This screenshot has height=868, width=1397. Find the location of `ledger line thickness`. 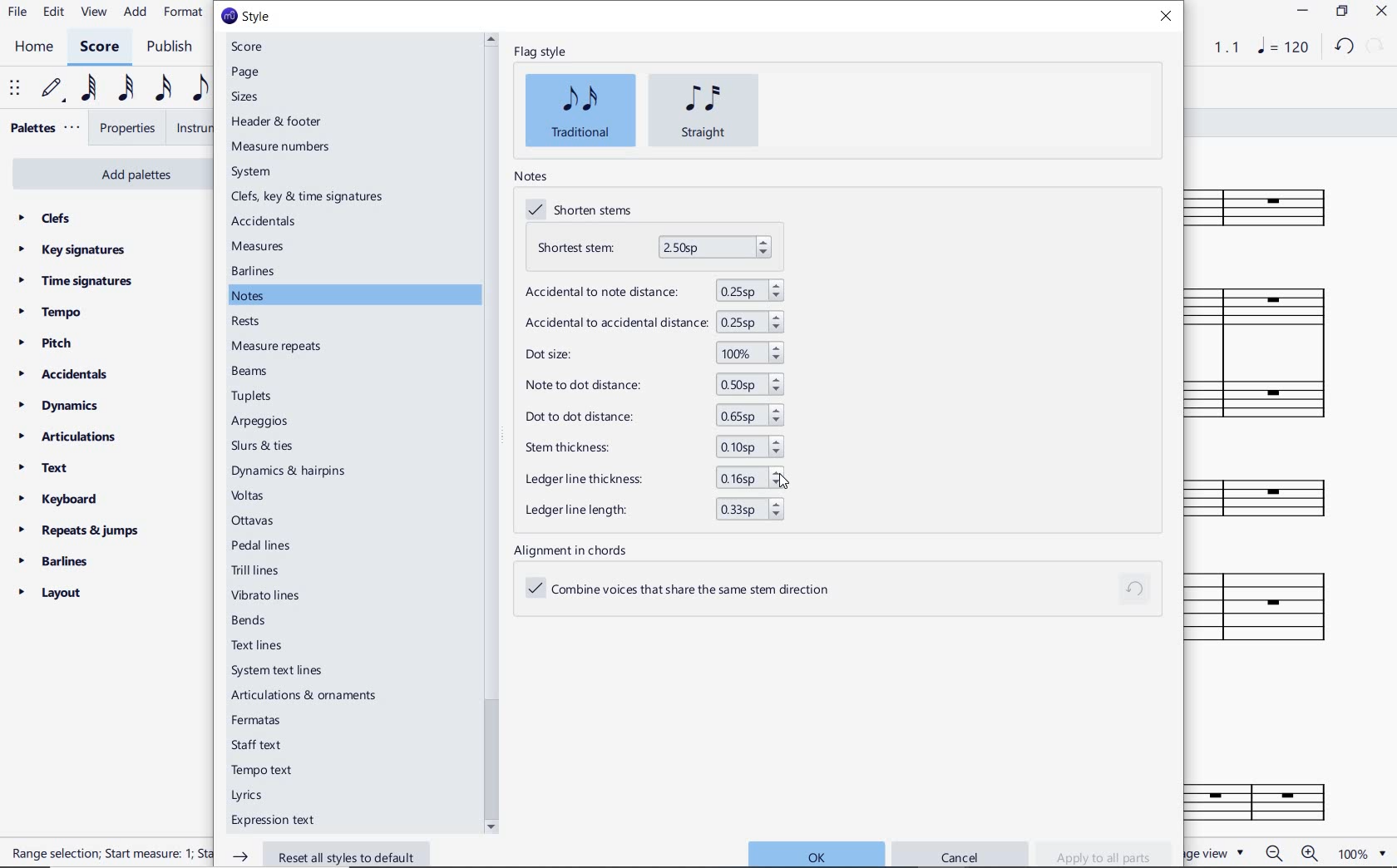

ledger line thickness is located at coordinates (648, 479).